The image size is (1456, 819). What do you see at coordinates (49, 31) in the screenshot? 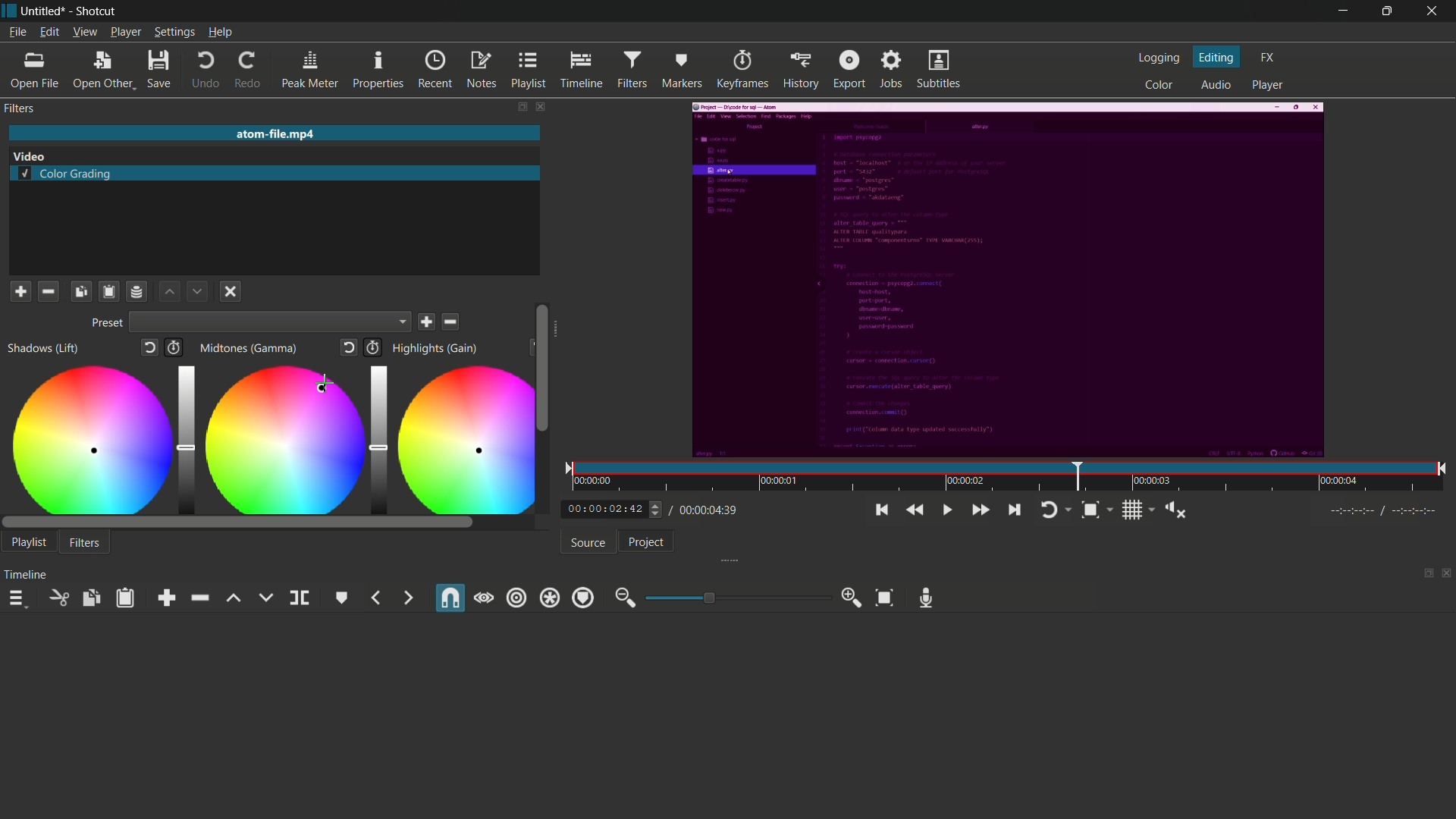
I see `edit menu` at bounding box center [49, 31].